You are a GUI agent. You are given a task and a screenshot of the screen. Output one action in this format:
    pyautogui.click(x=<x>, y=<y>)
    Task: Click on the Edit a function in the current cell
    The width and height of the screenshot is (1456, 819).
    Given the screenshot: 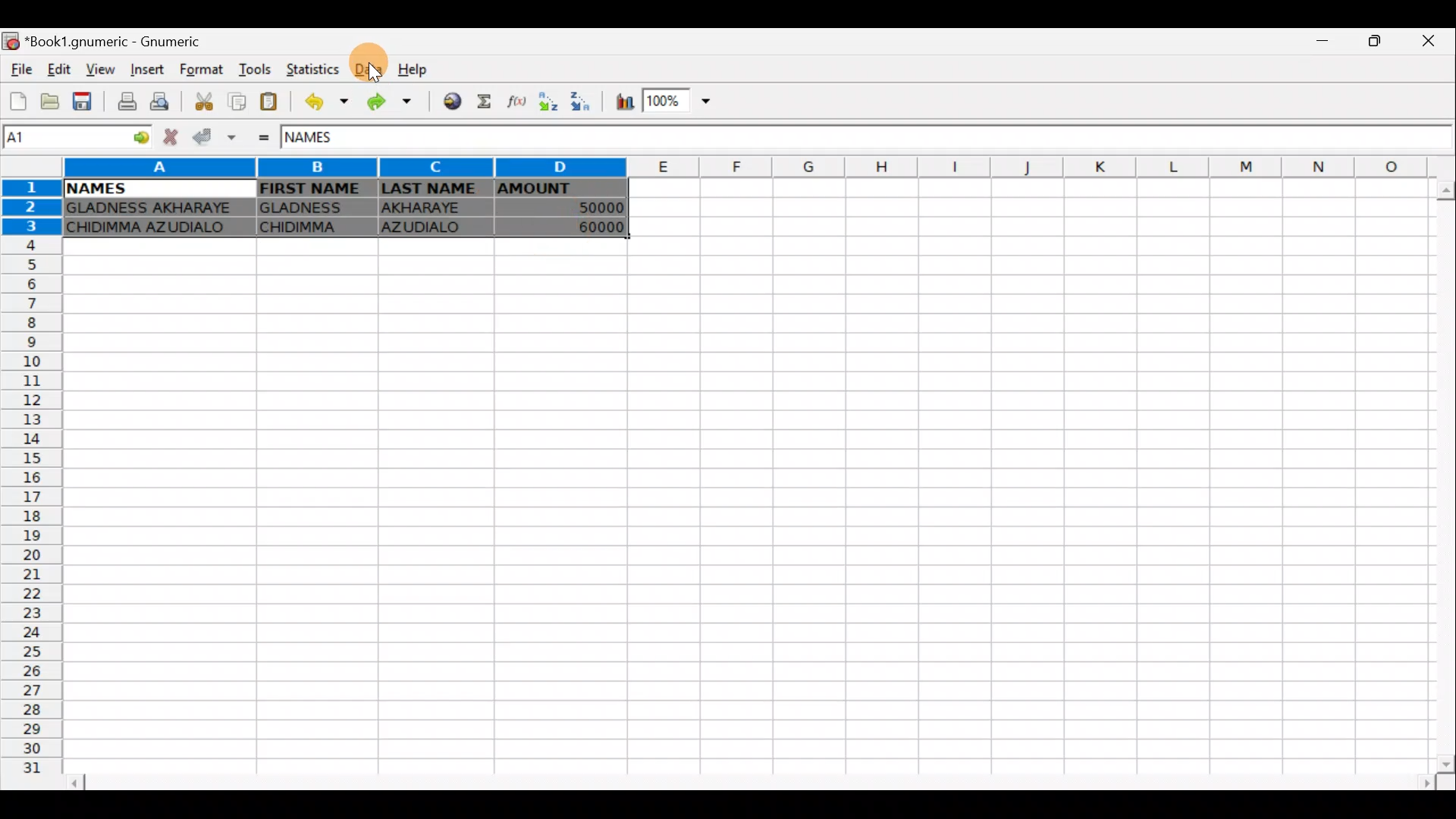 What is the action you would take?
    pyautogui.click(x=514, y=102)
    